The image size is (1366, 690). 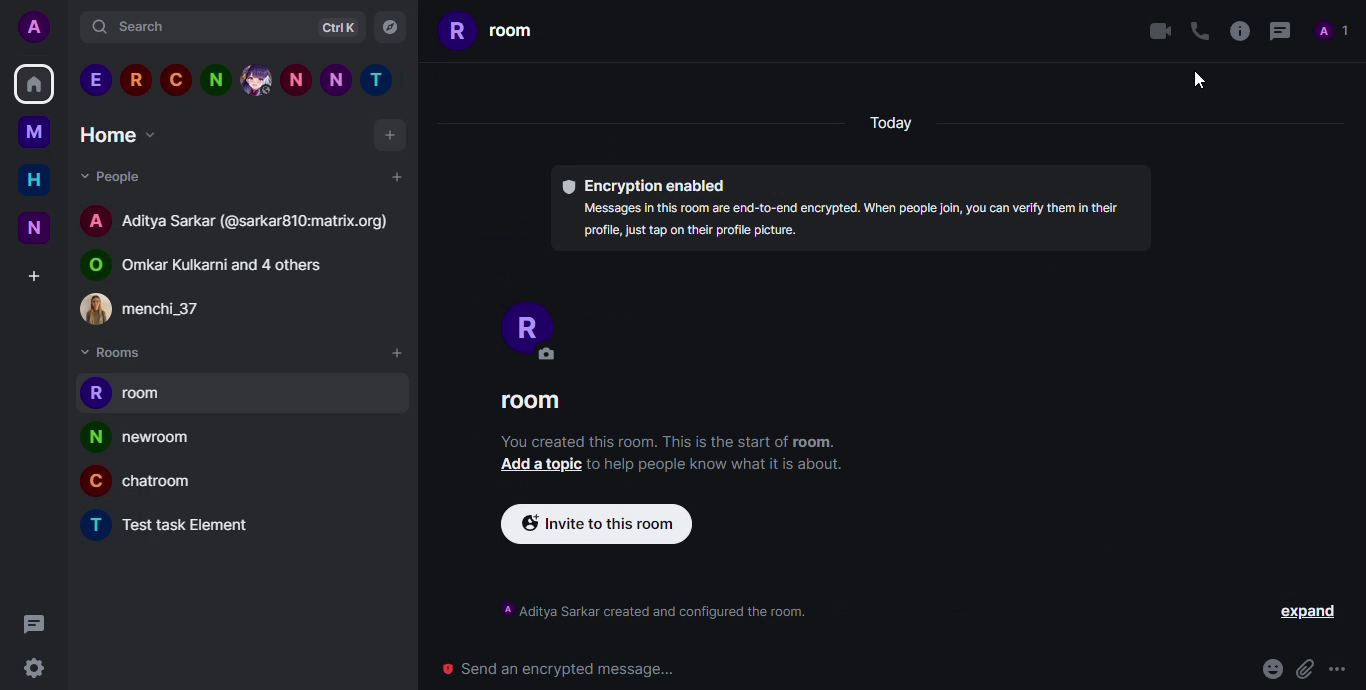 I want to click on cursor, so click(x=1203, y=80).